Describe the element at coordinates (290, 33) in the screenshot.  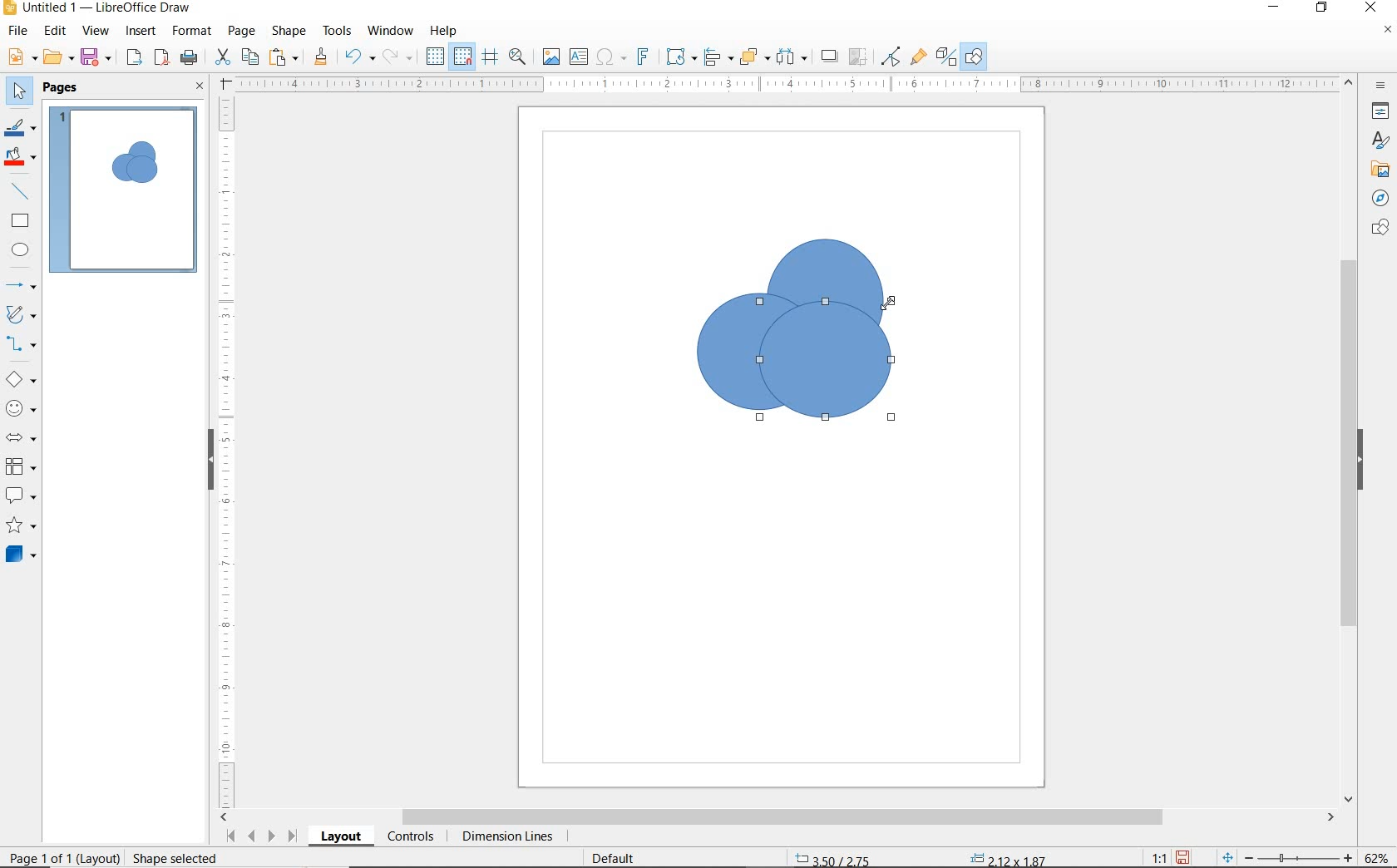
I see `SHAPE` at that location.